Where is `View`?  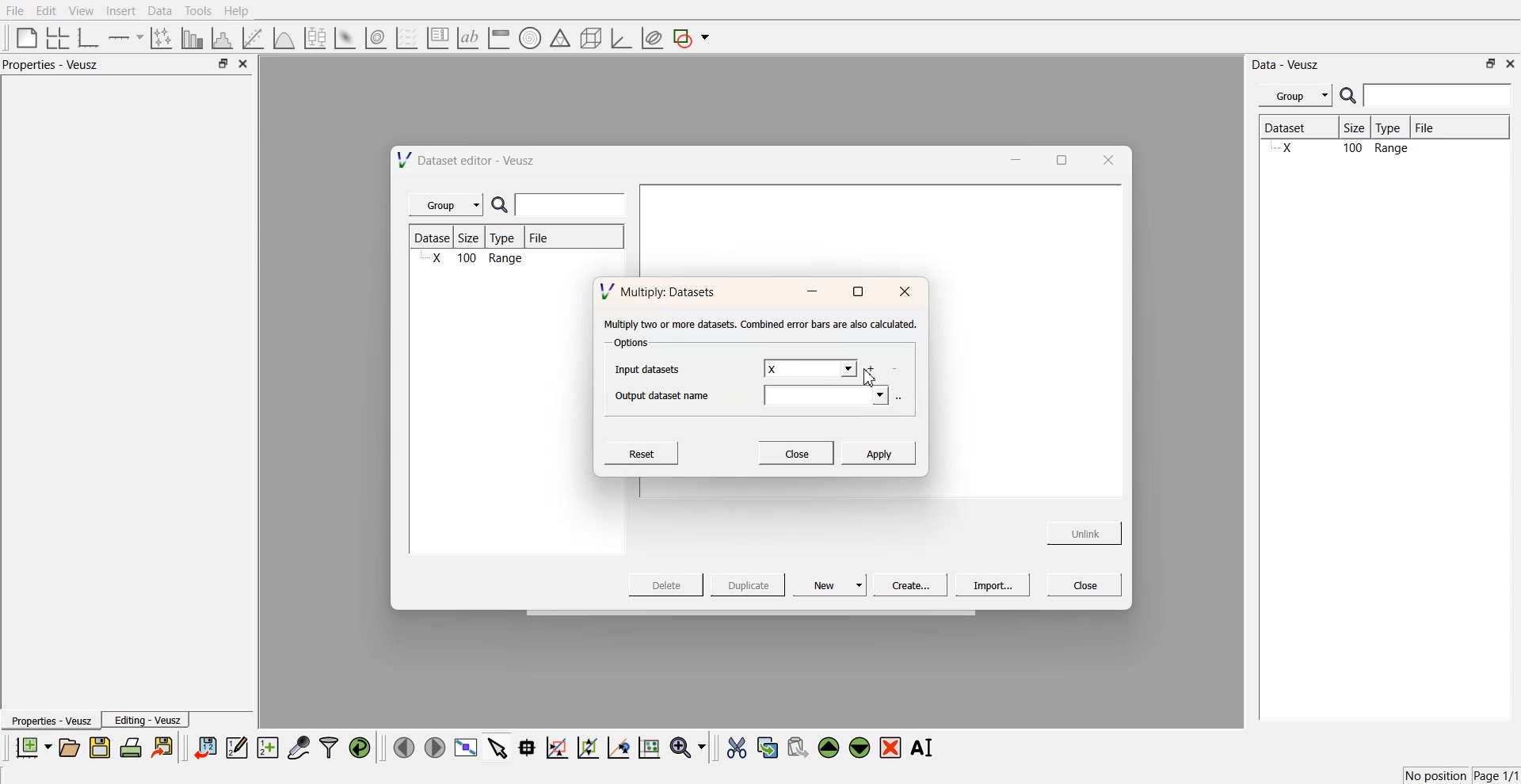
View is located at coordinates (80, 11).